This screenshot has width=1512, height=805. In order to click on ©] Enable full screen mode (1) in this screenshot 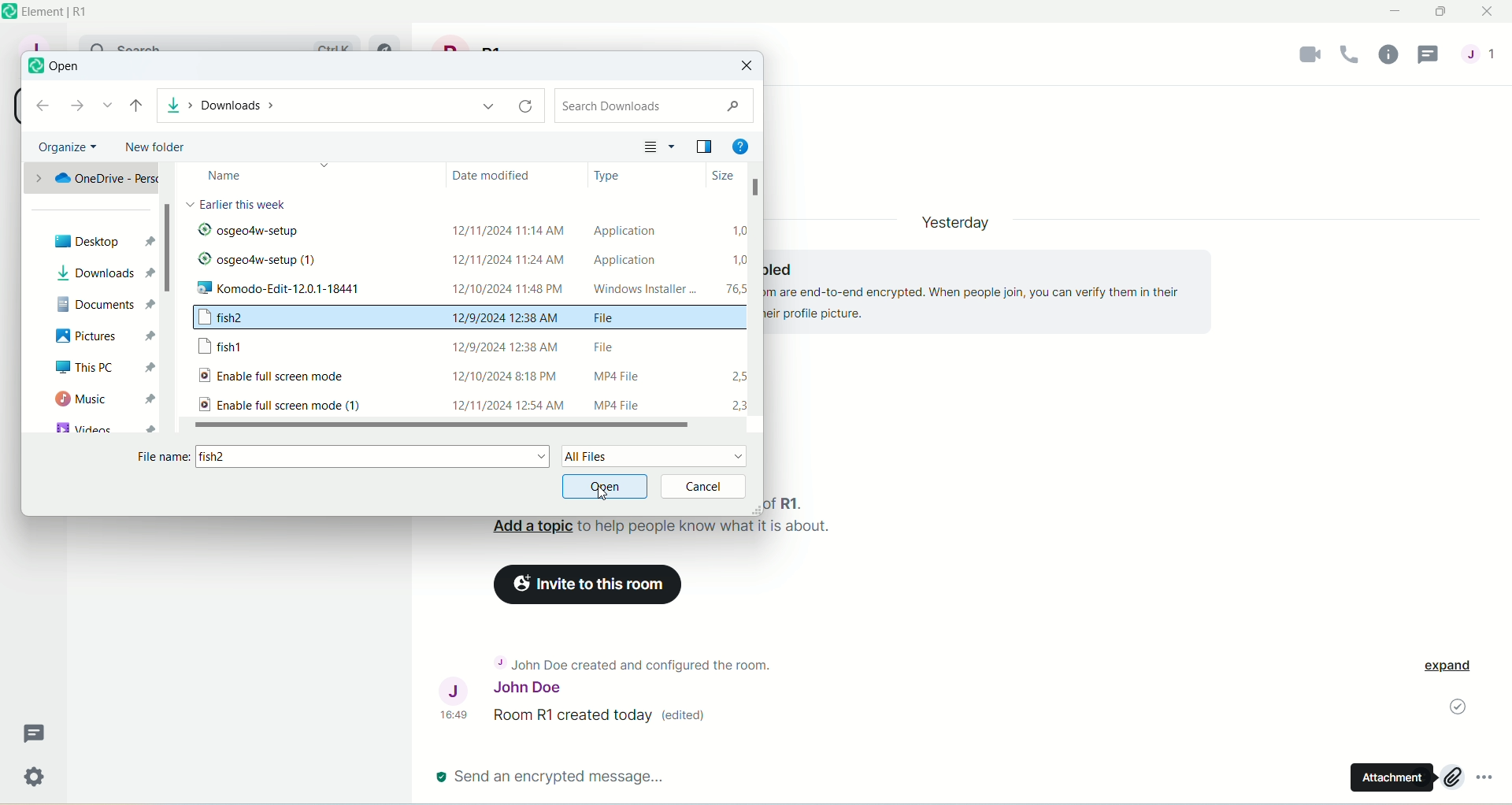, I will do `click(278, 405)`.